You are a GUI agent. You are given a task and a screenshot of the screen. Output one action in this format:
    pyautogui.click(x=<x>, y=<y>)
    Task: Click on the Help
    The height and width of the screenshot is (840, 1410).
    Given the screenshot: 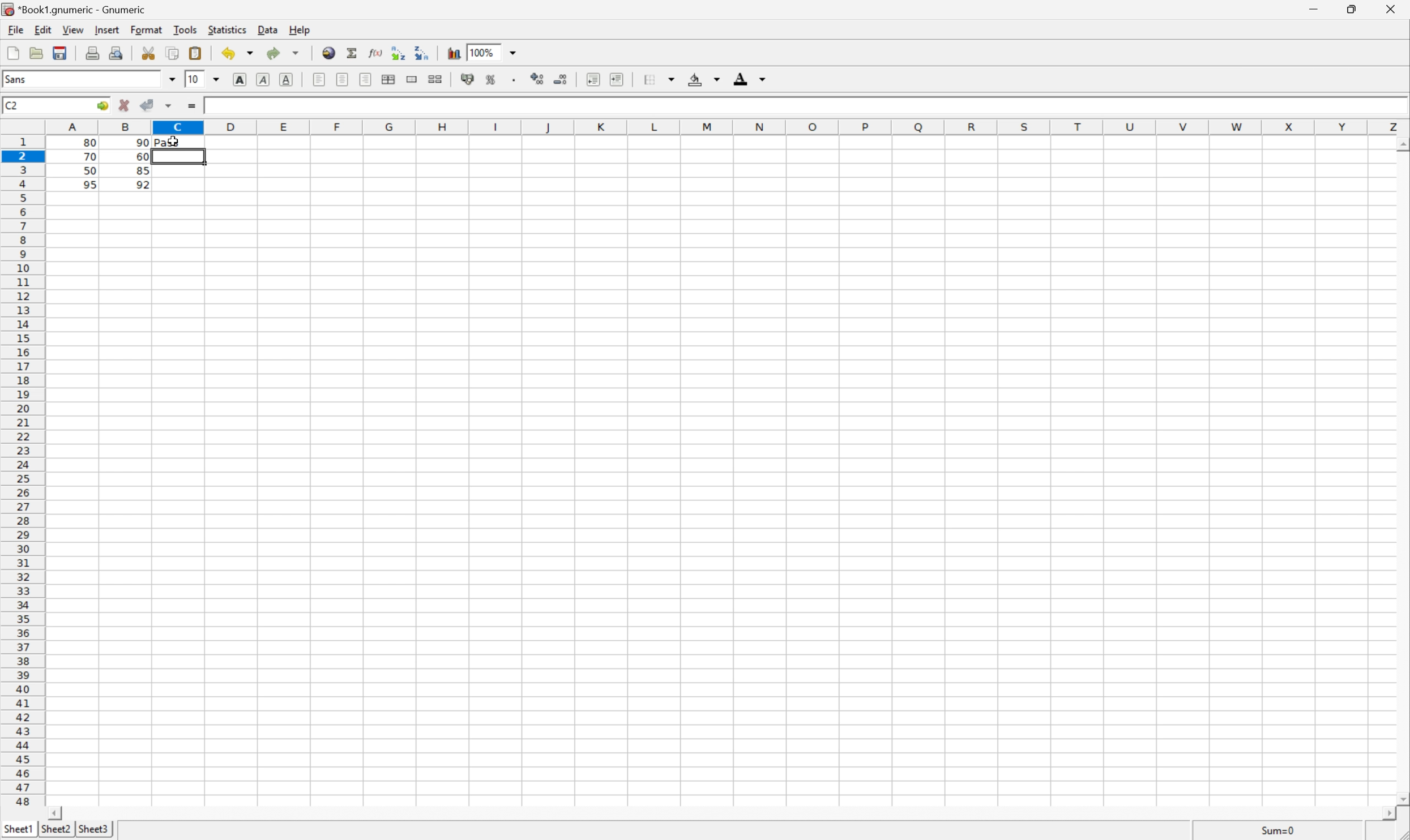 What is the action you would take?
    pyautogui.click(x=300, y=31)
    